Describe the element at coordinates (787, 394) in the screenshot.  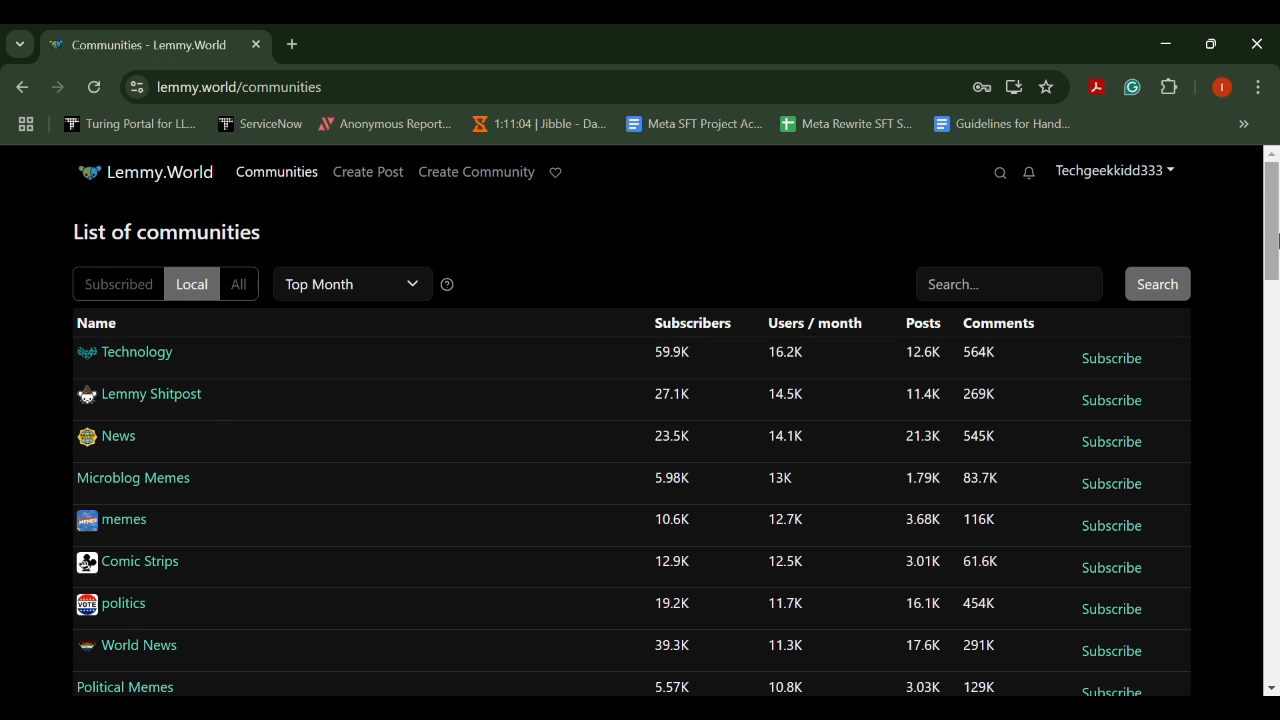
I see `14.5K` at that location.